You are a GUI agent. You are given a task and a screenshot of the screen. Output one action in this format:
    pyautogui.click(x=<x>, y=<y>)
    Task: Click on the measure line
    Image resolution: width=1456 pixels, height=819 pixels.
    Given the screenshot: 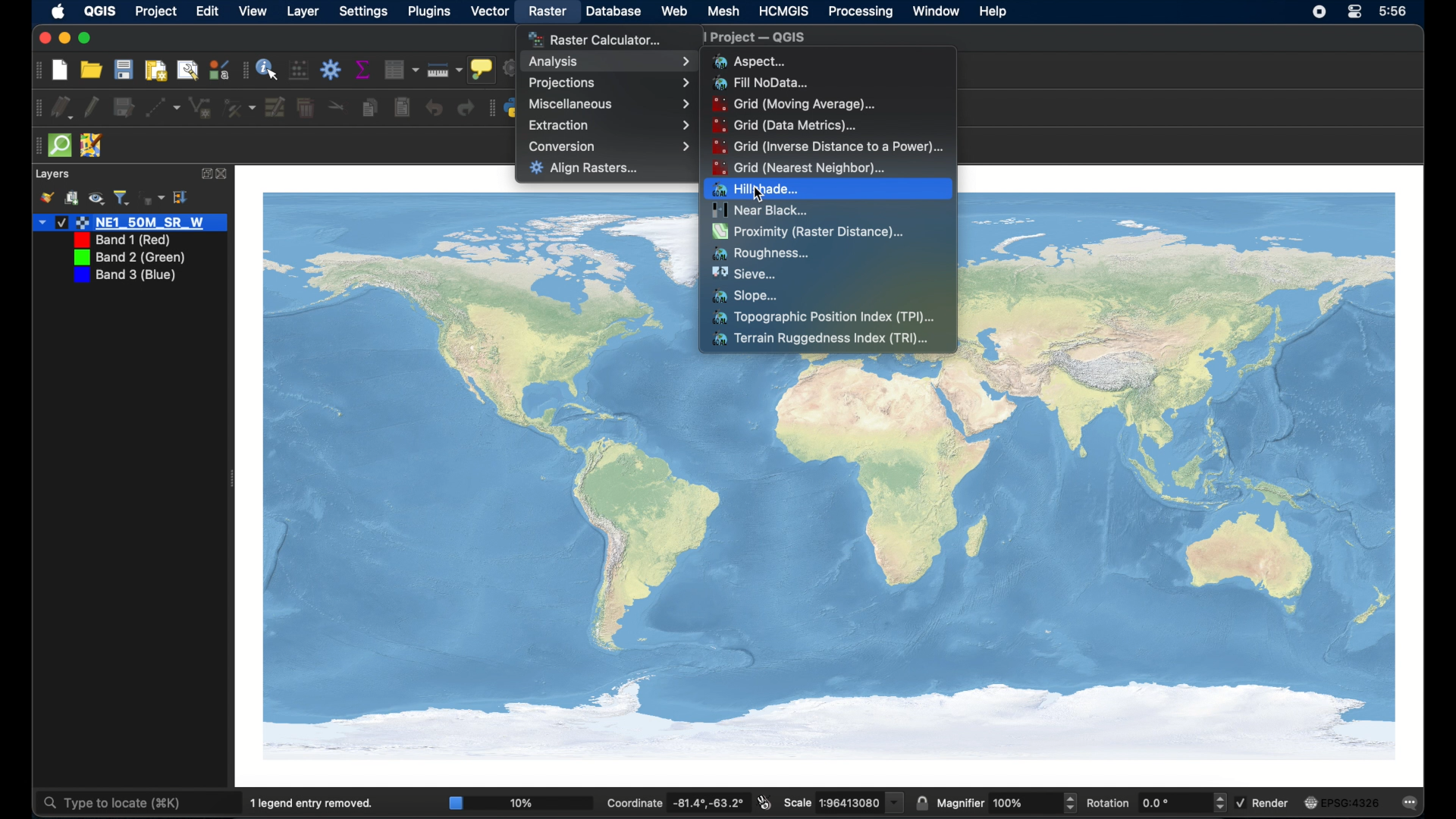 What is the action you would take?
    pyautogui.click(x=444, y=70)
    